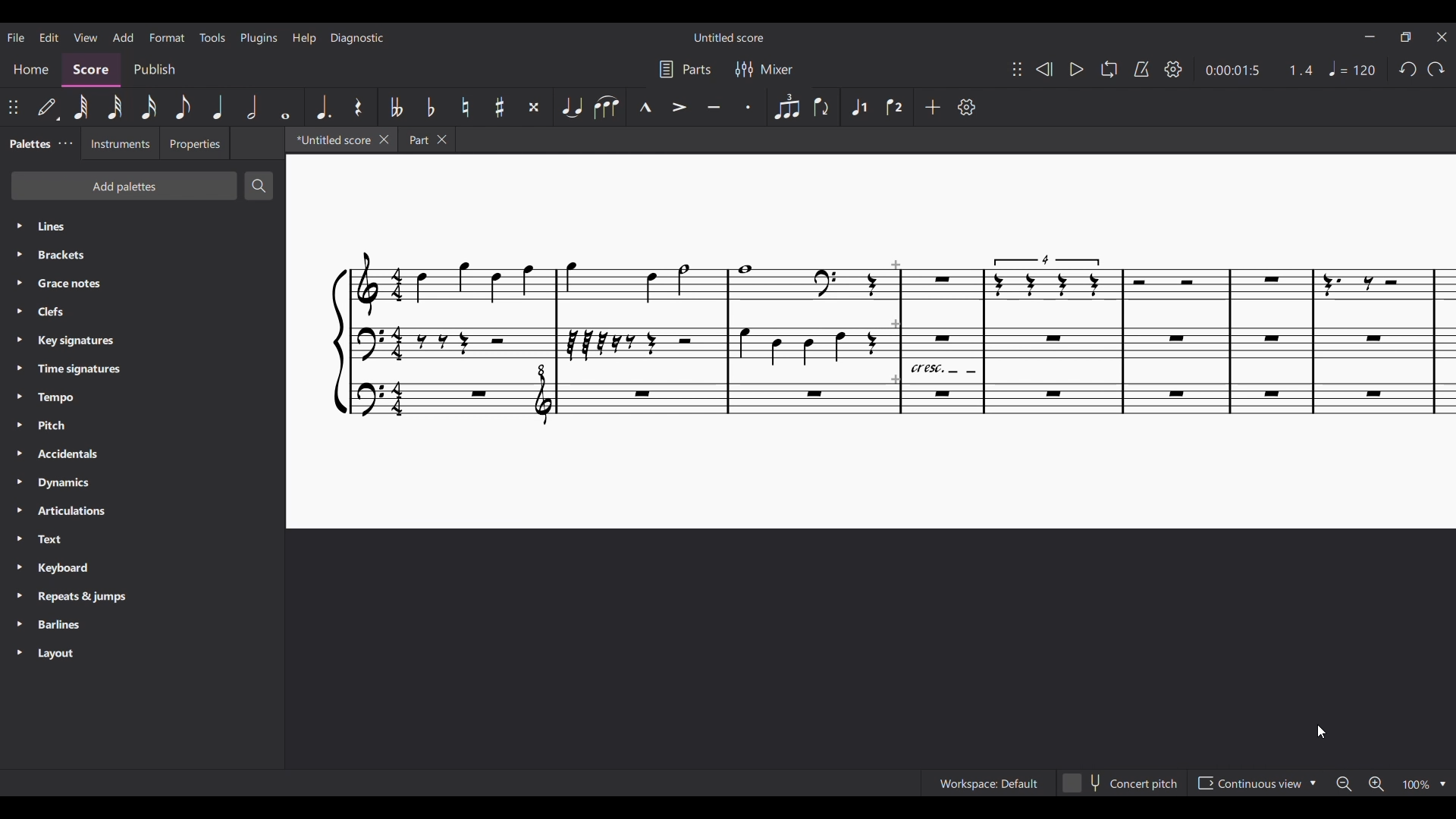  I want to click on Voice 2, so click(894, 107).